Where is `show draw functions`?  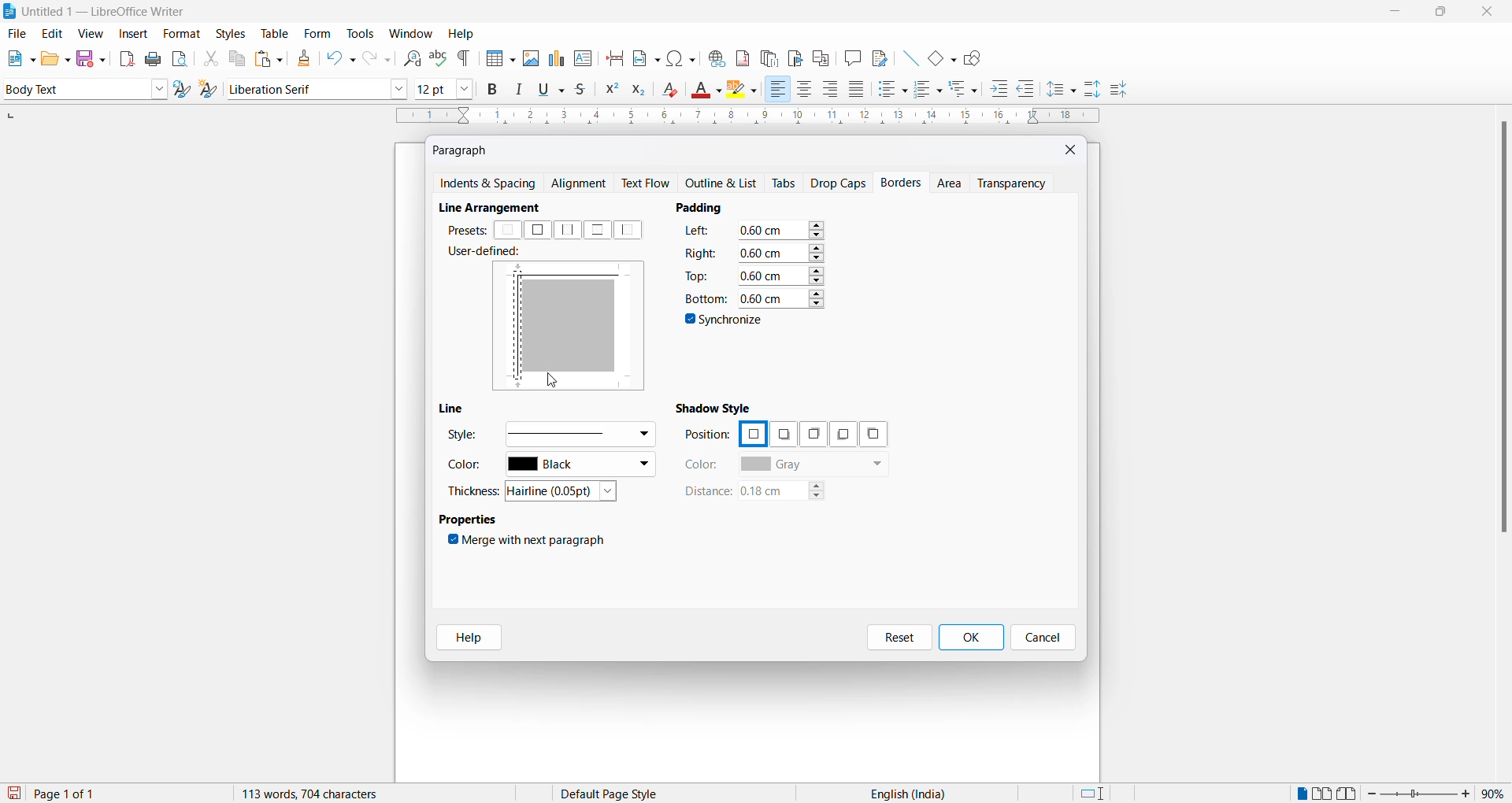 show draw functions is located at coordinates (976, 57).